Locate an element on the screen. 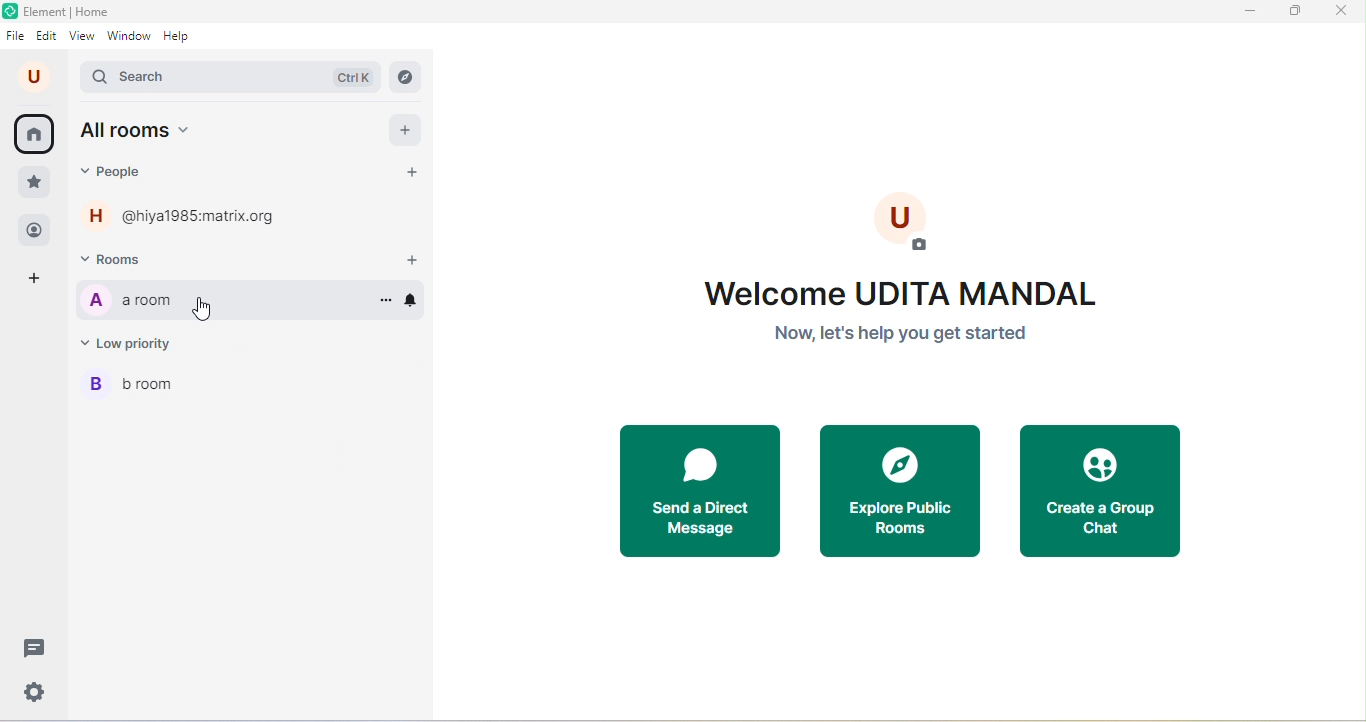 This screenshot has height=722, width=1366. close is located at coordinates (1345, 13).